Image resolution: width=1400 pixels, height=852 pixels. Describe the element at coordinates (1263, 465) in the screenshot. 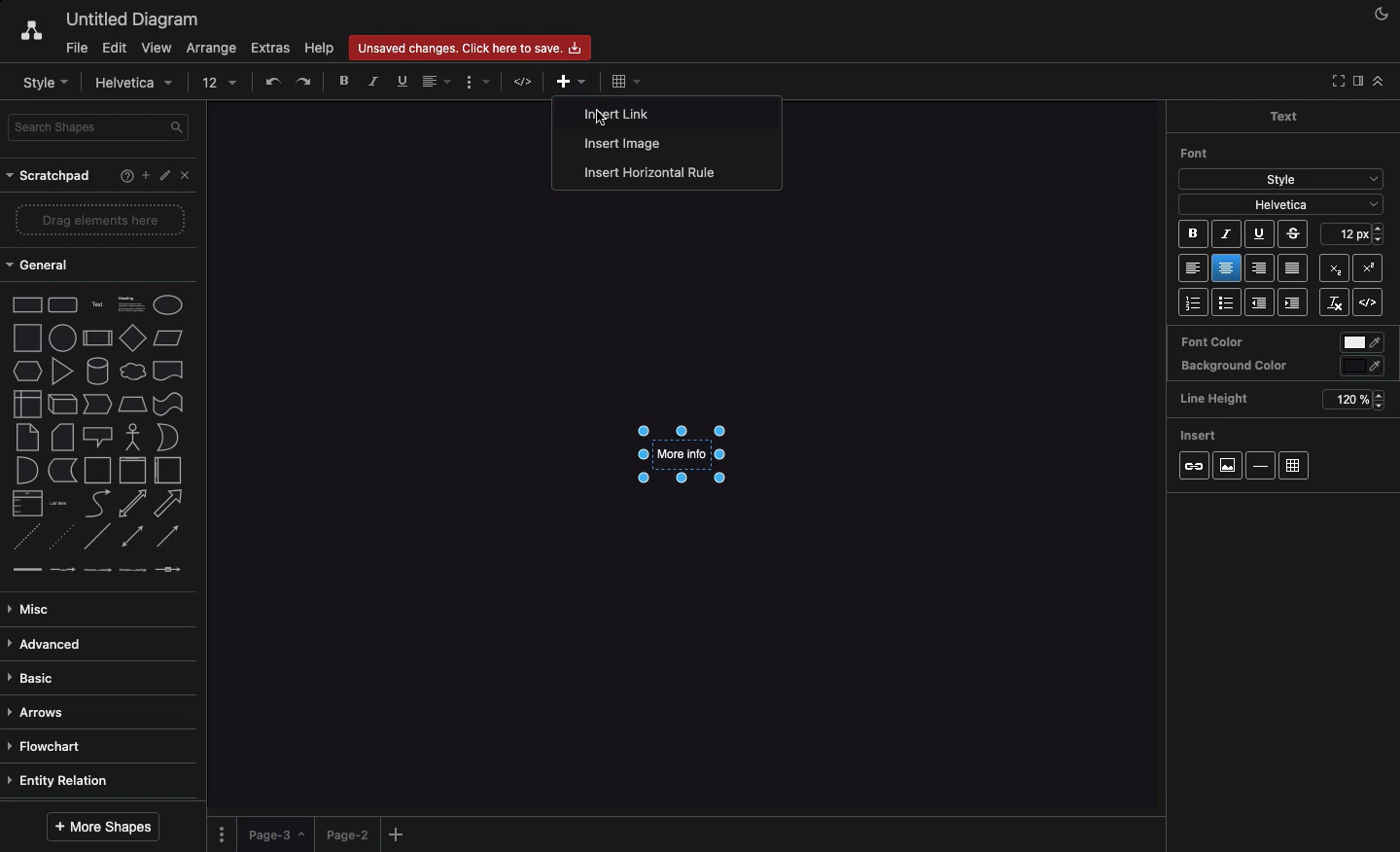

I see `Horizontal` at that location.